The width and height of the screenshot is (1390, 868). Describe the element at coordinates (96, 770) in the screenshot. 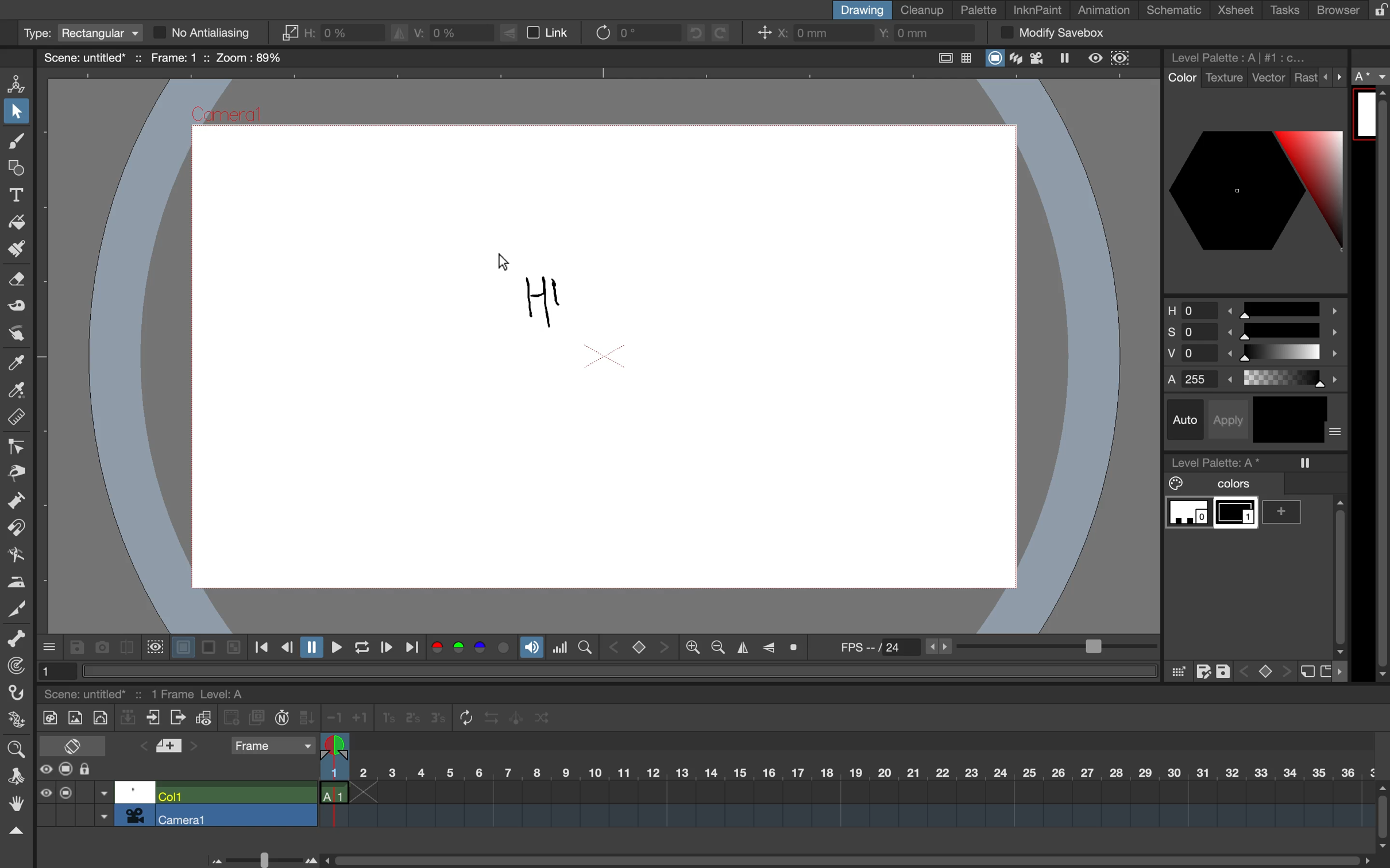

I see `lock toggle all` at that location.